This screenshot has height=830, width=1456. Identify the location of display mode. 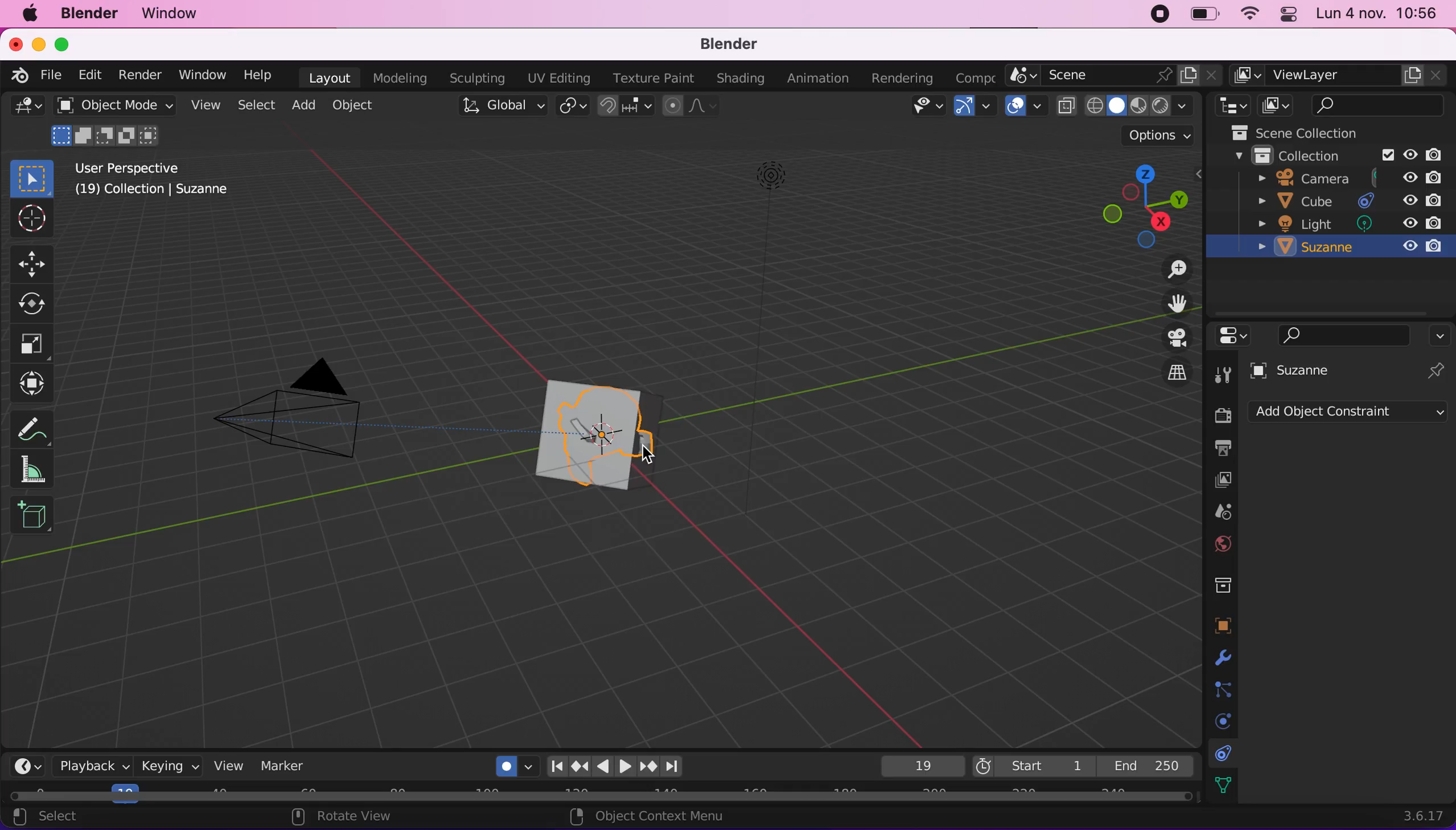
(1279, 104).